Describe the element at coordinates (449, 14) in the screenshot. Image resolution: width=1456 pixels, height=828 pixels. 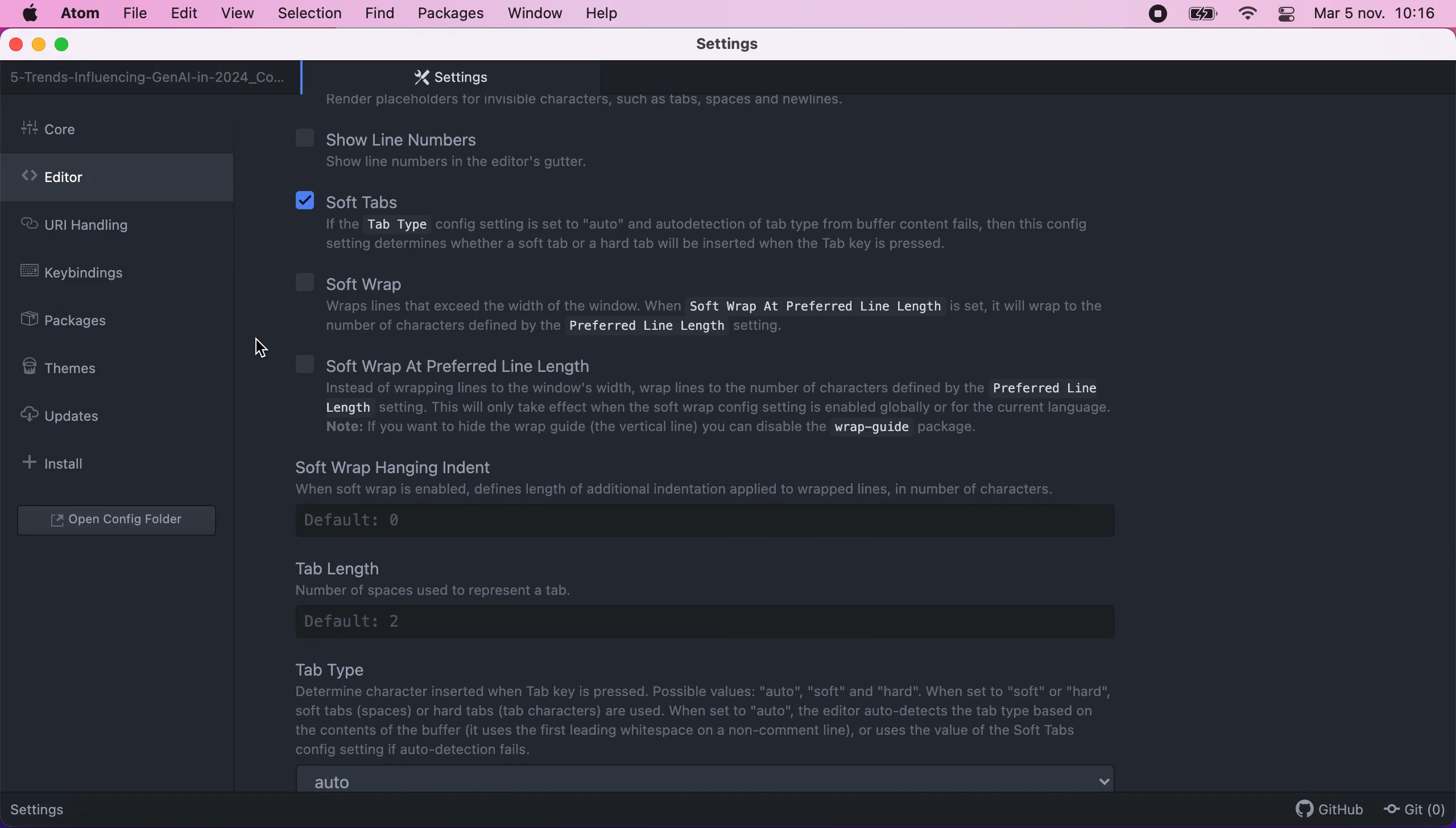
I see `packages` at that location.